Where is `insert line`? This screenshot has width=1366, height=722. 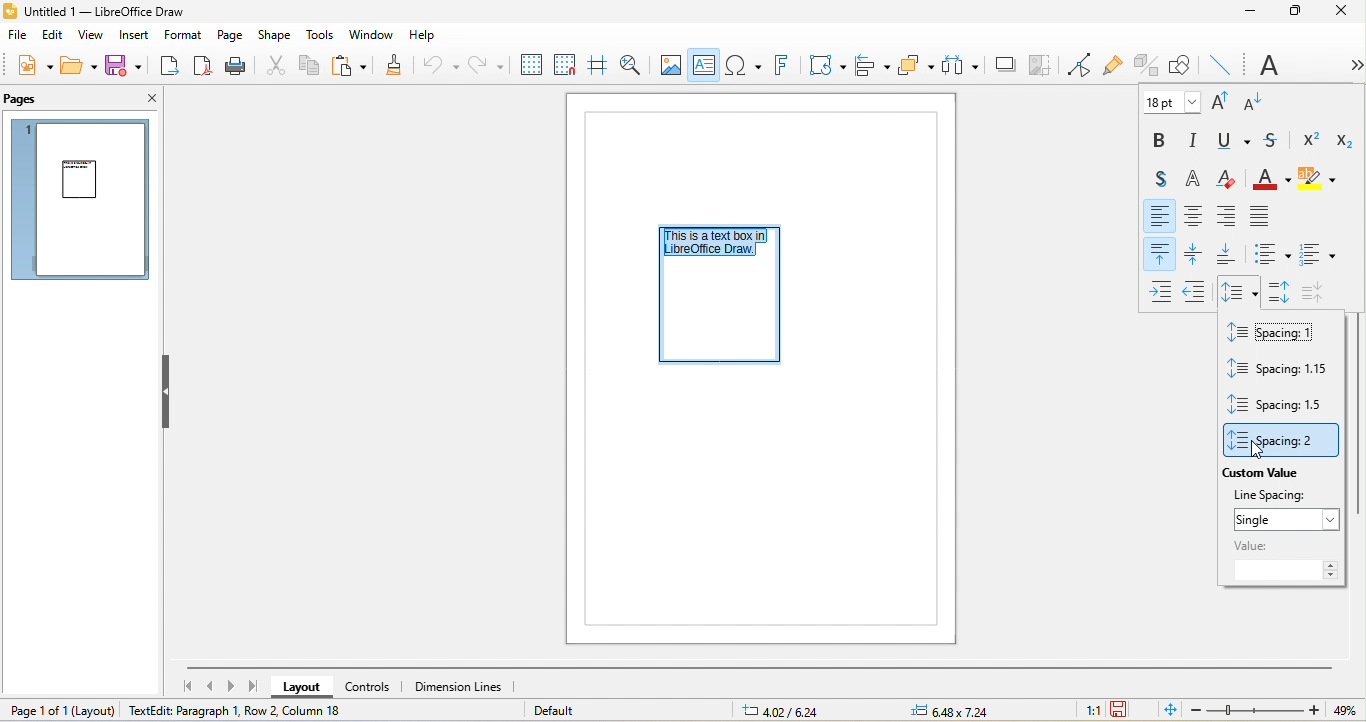
insert line is located at coordinates (1226, 66).